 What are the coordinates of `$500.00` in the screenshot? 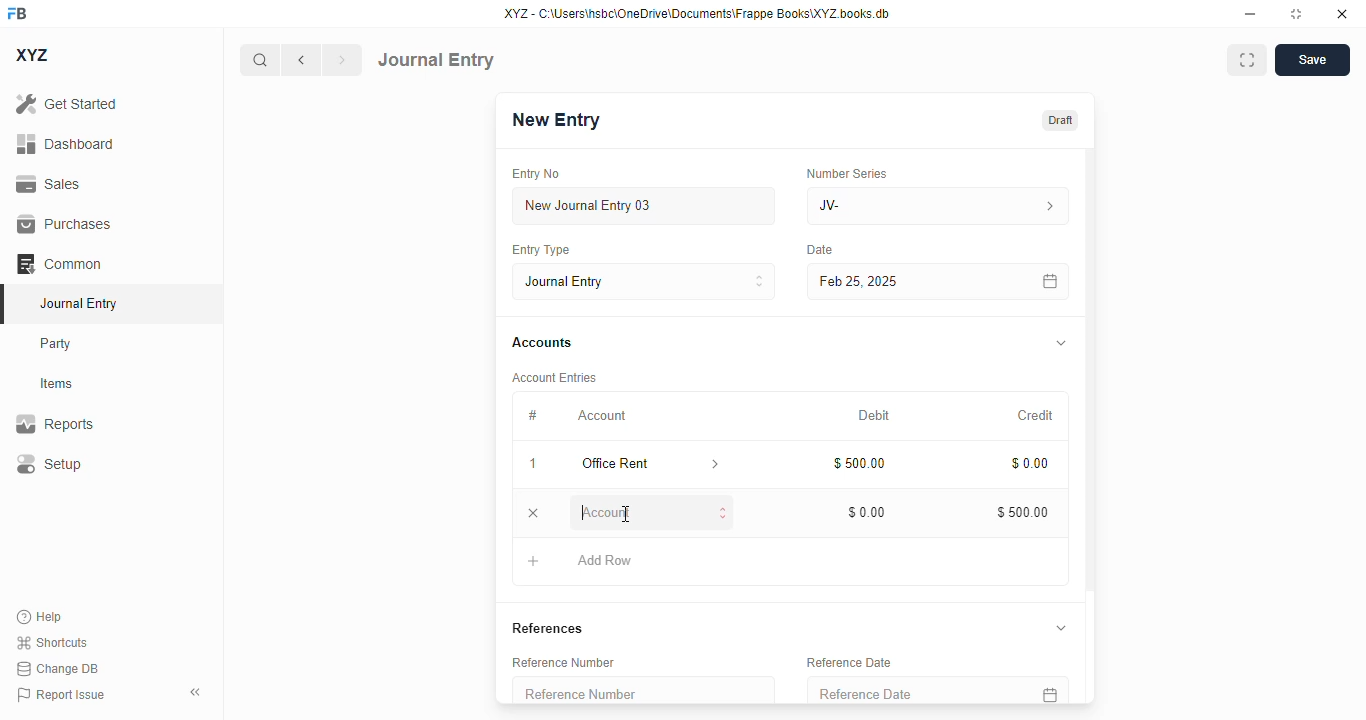 It's located at (861, 463).